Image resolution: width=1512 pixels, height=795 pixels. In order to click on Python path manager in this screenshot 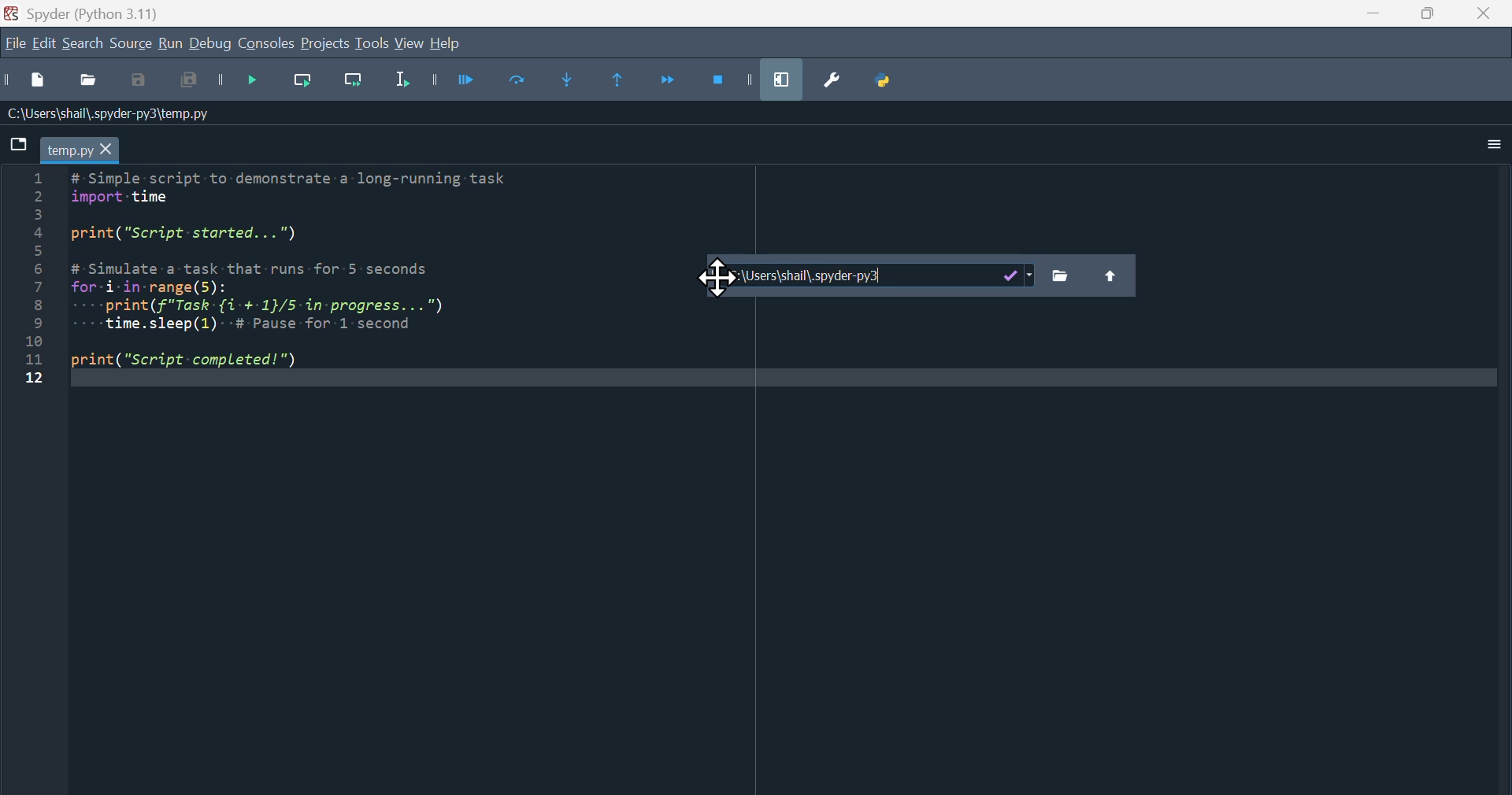, I will do `click(888, 79)`.